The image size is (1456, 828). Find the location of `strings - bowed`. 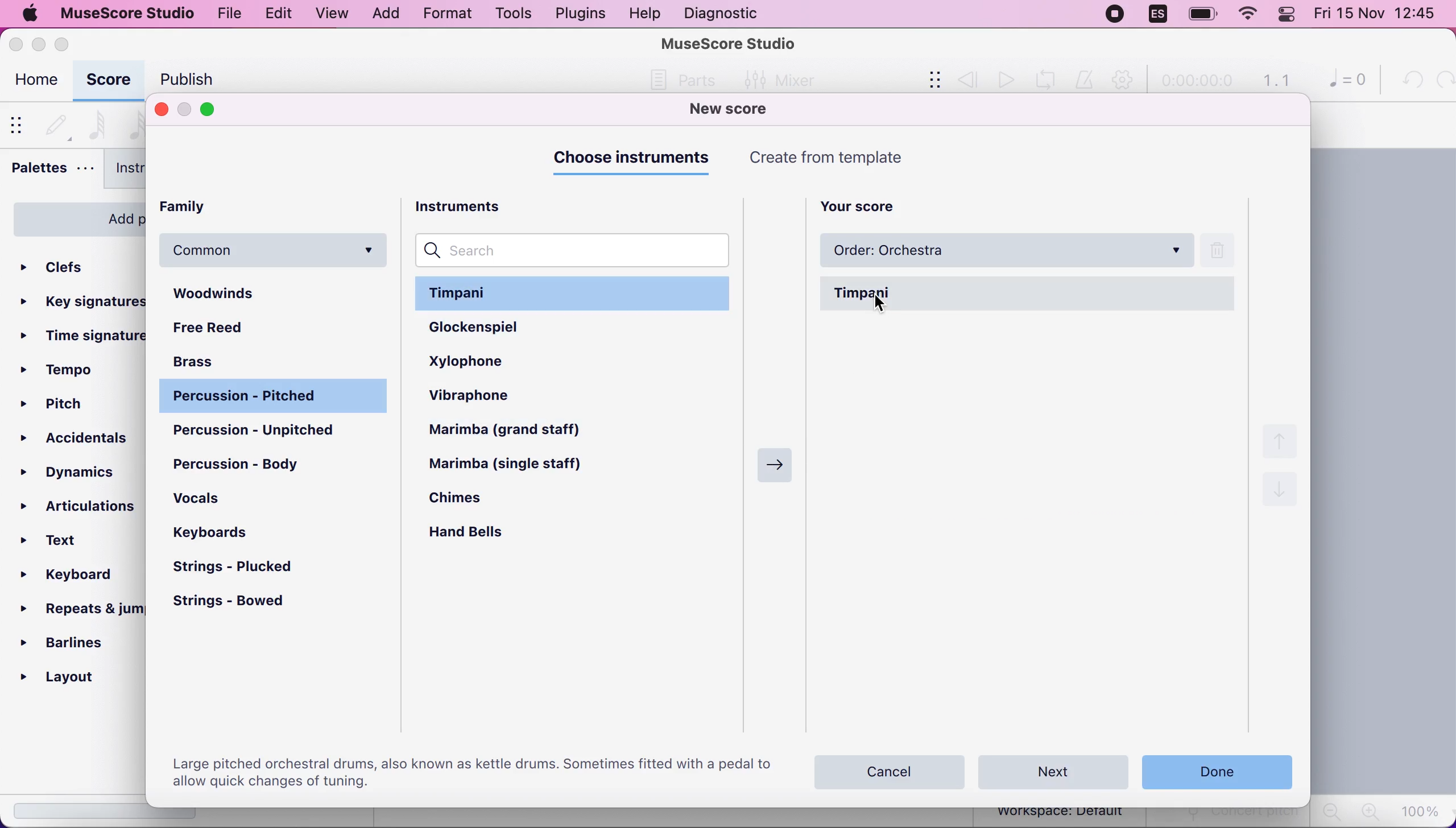

strings - bowed is located at coordinates (240, 603).